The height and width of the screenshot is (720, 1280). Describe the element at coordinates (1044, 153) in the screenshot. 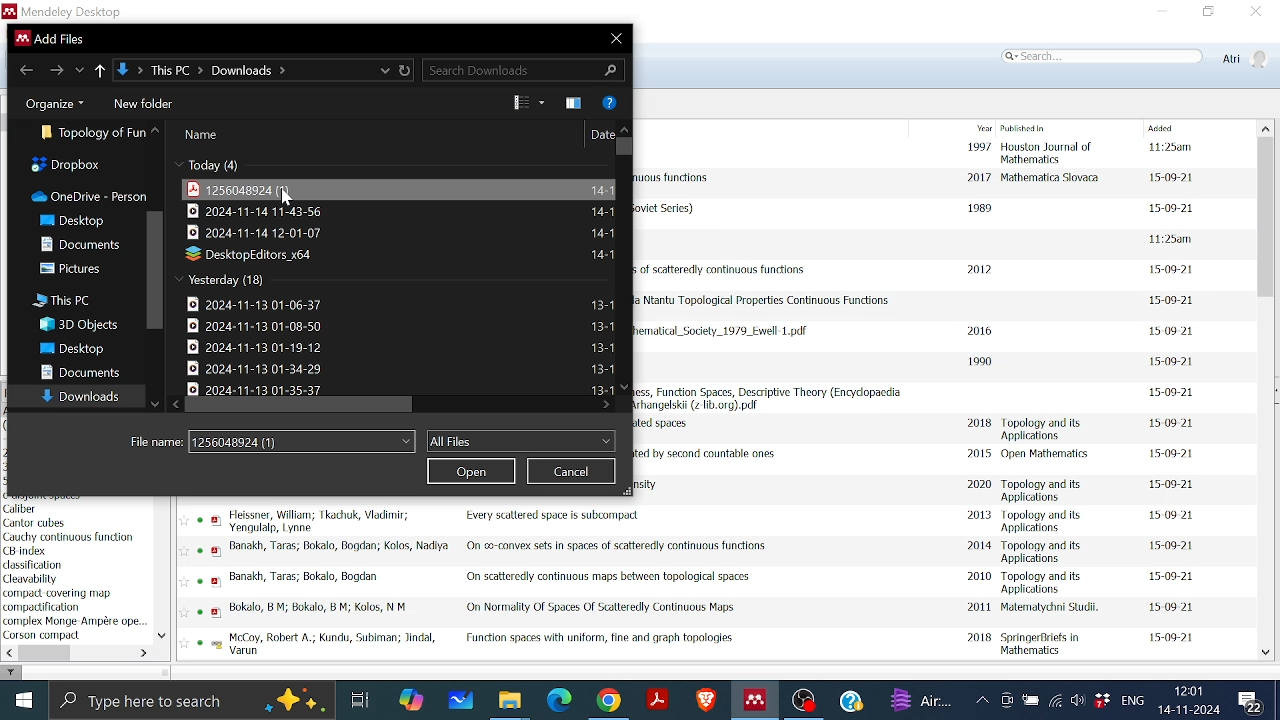

I see `Published in` at that location.